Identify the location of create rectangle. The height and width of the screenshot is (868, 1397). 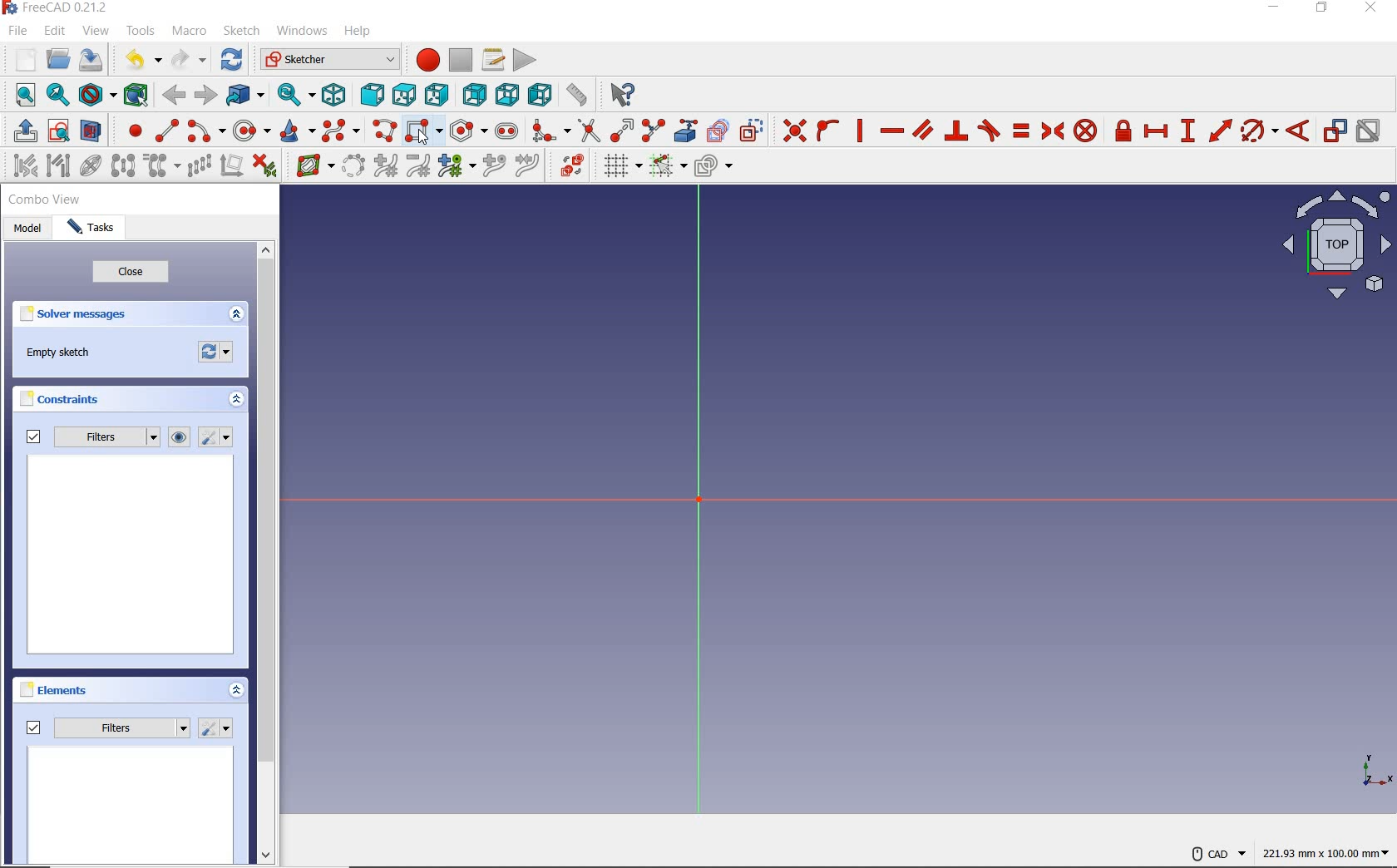
(425, 135).